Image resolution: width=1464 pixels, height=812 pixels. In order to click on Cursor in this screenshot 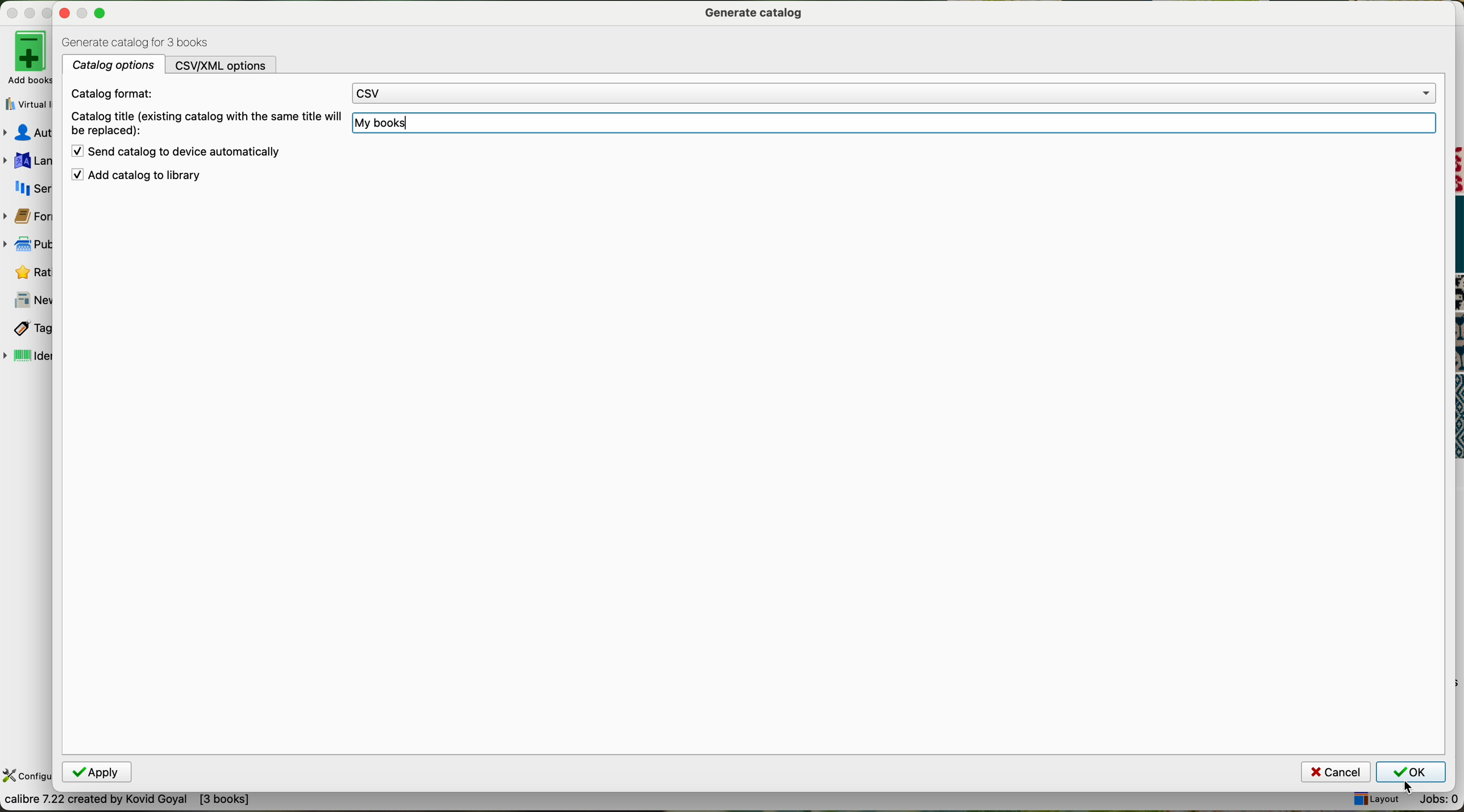, I will do `click(1411, 786)`.